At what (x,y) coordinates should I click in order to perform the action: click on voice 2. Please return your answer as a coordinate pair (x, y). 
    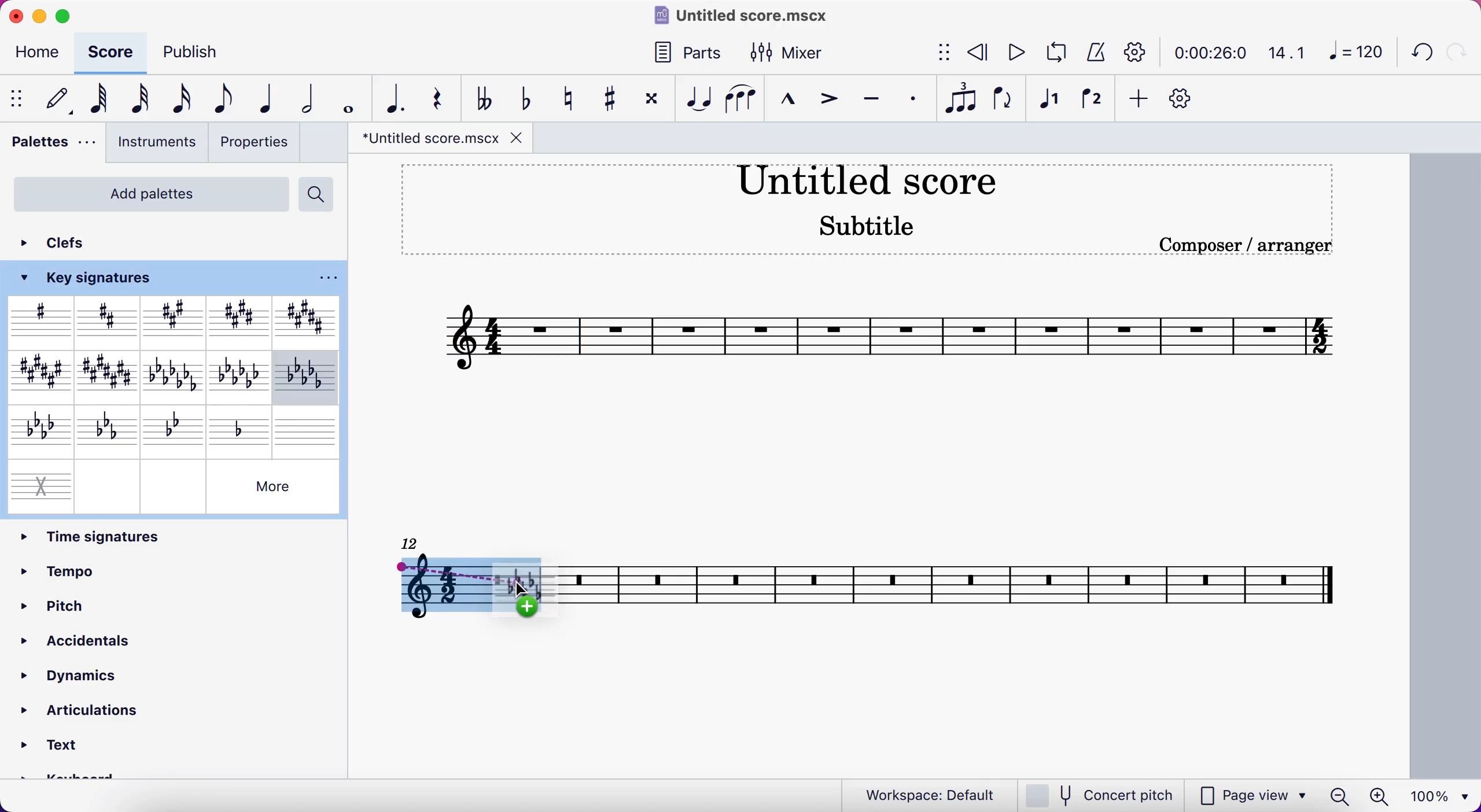
    Looking at the image, I should click on (1095, 102).